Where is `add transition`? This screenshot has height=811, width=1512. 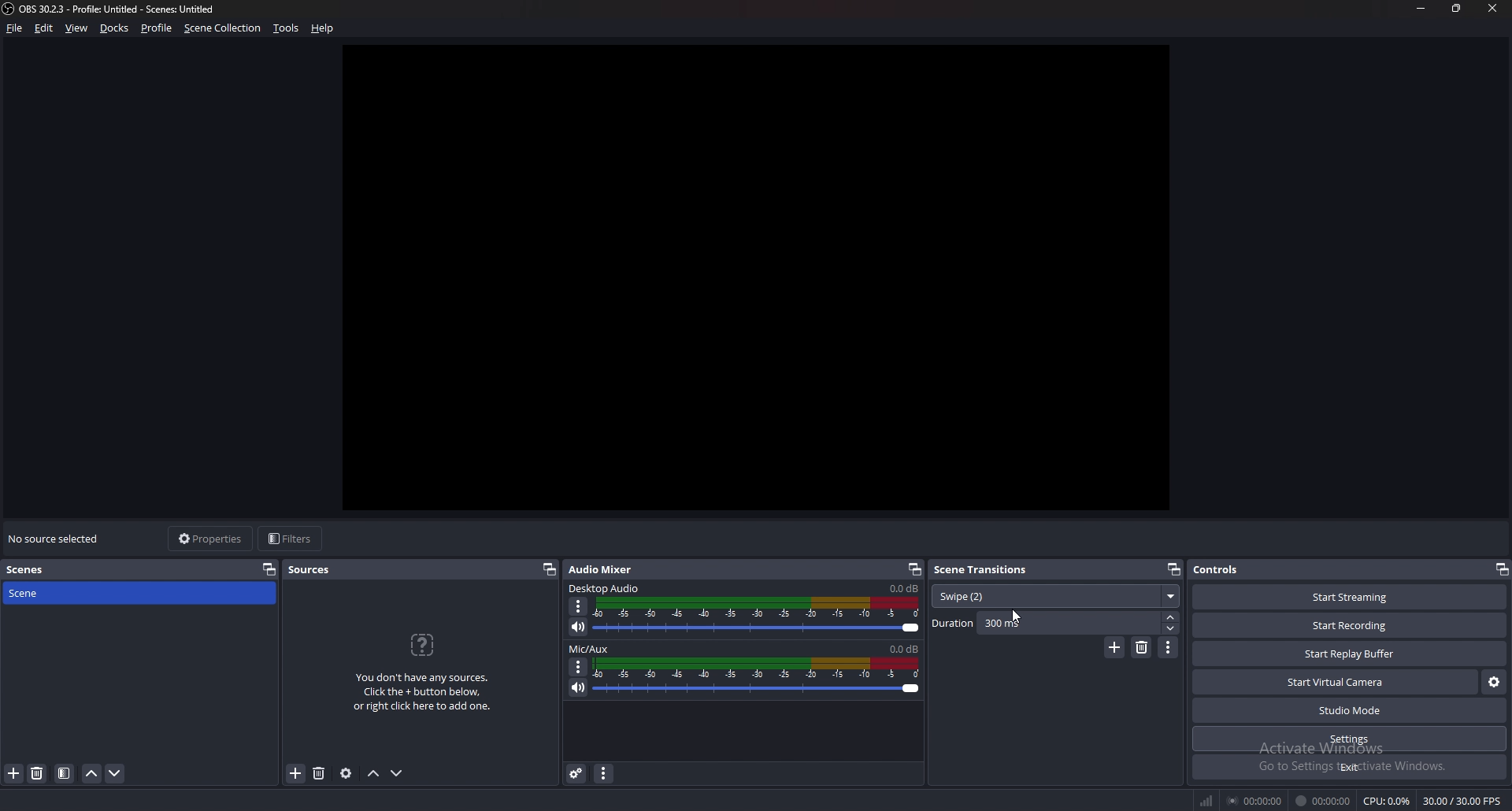
add transition is located at coordinates (1114, 647).